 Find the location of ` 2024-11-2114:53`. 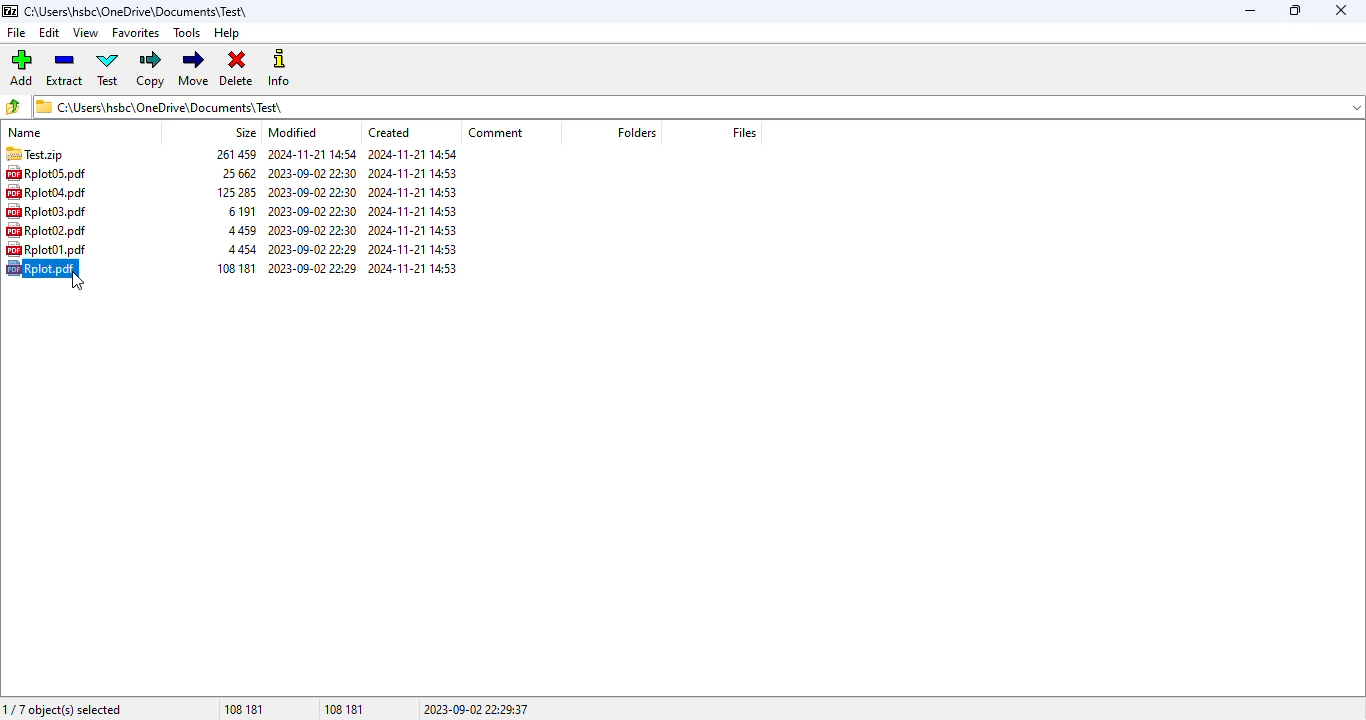

 2024-11-2114:53 is located at coordinates (412, 232).